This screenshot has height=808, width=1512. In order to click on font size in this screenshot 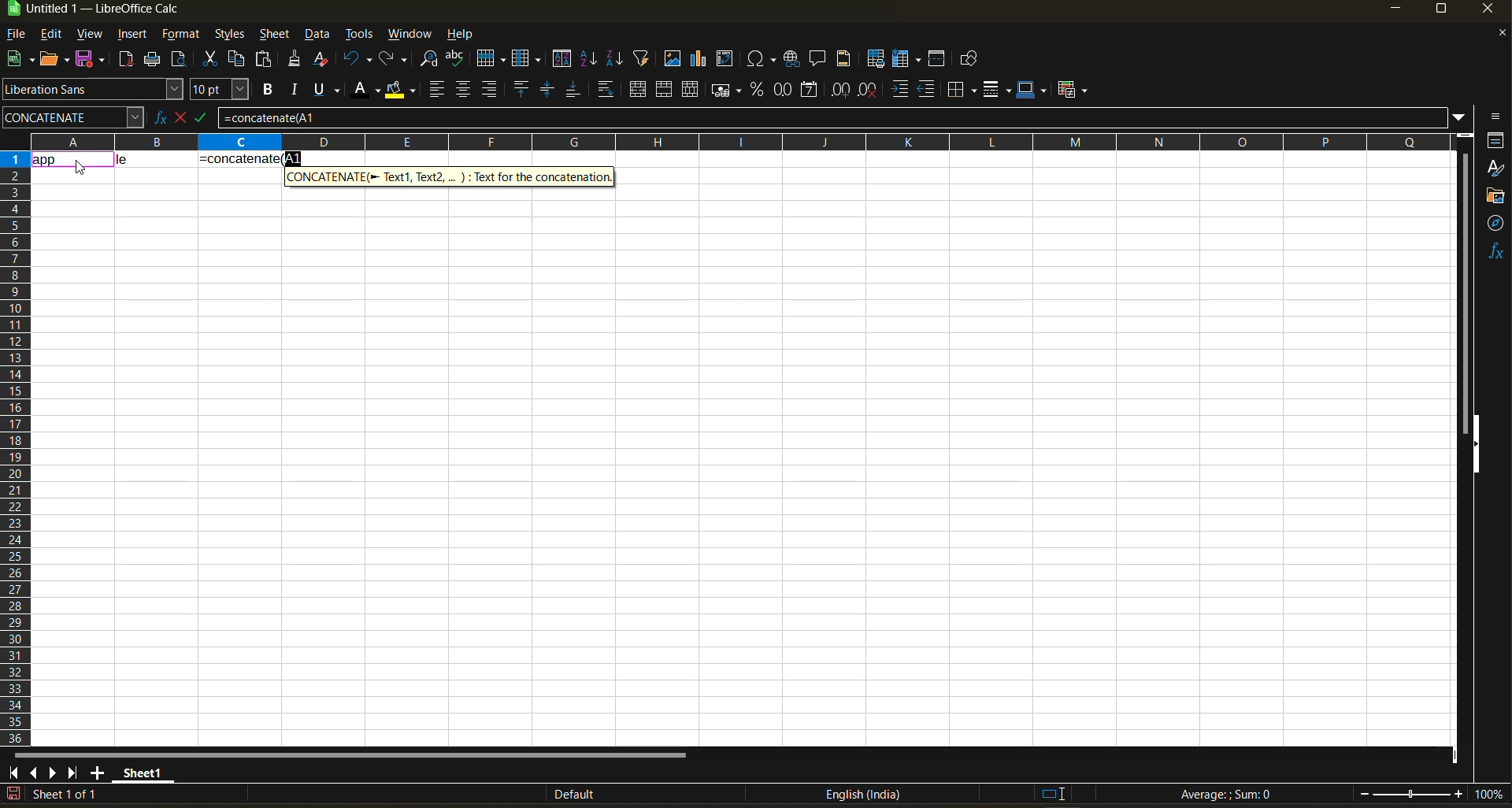, I will do `click(223, 91)`.